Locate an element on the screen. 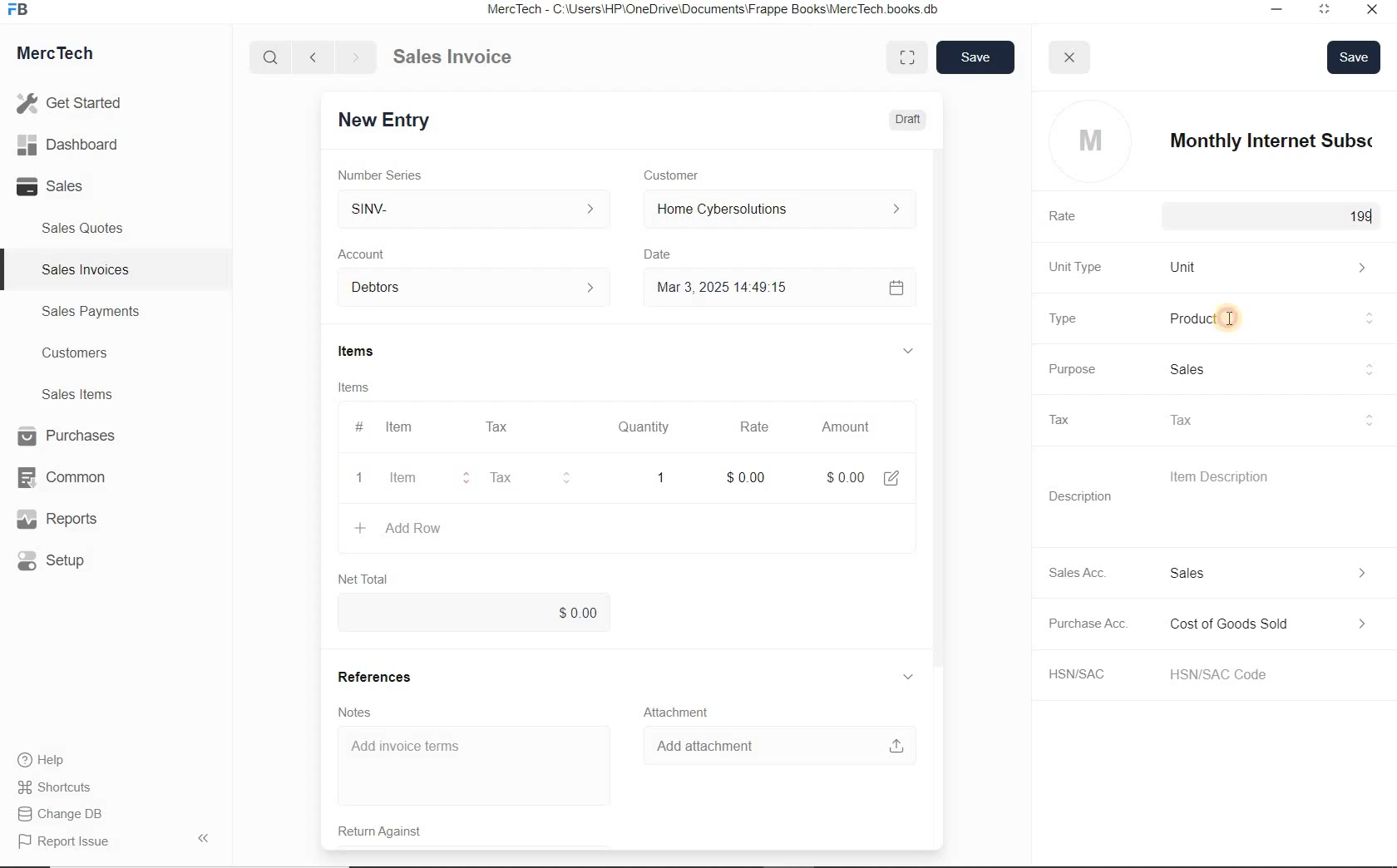  Items is located at coordinates (370, 353).